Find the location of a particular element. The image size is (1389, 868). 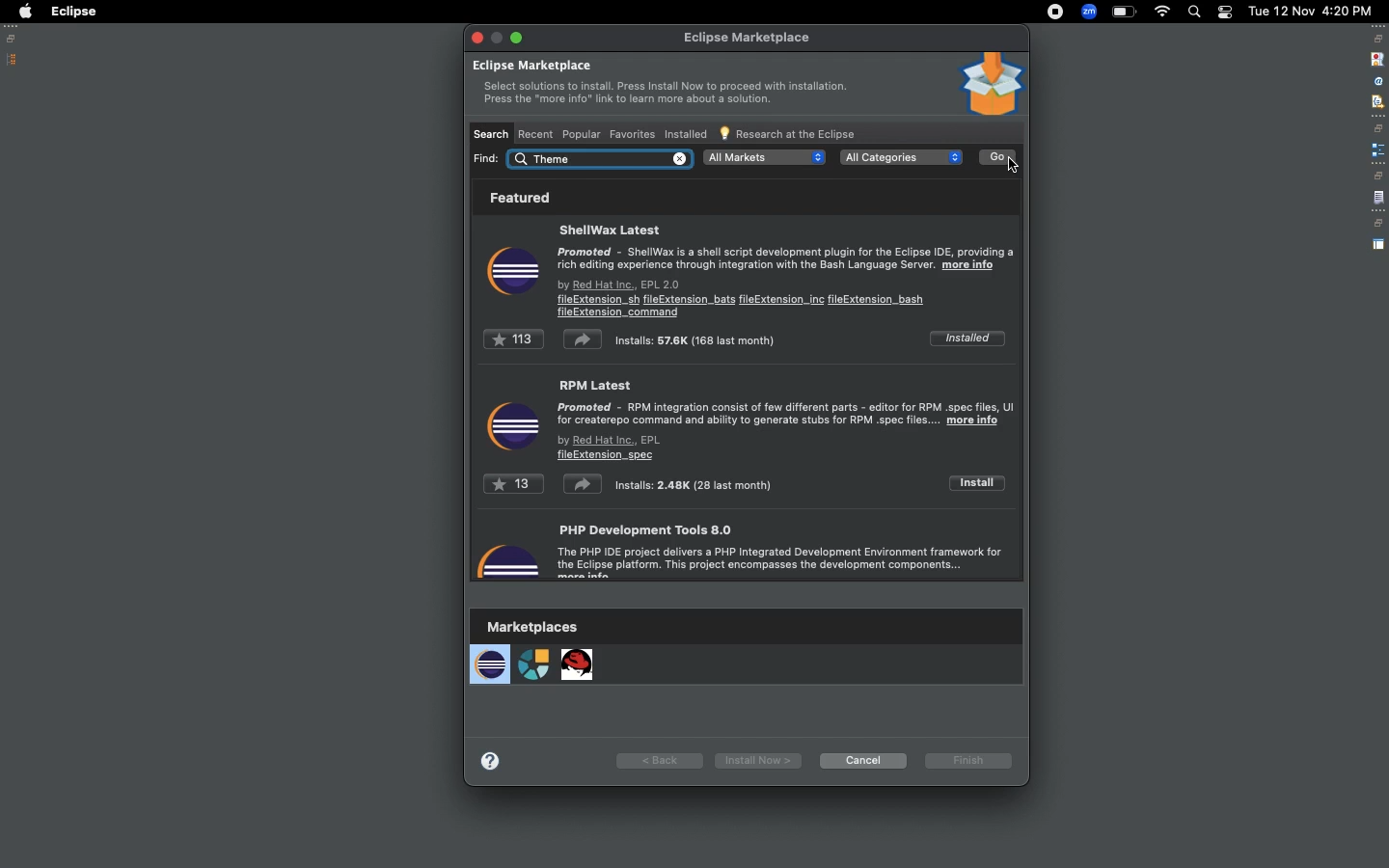

Install is located at coordinates (976, 482).